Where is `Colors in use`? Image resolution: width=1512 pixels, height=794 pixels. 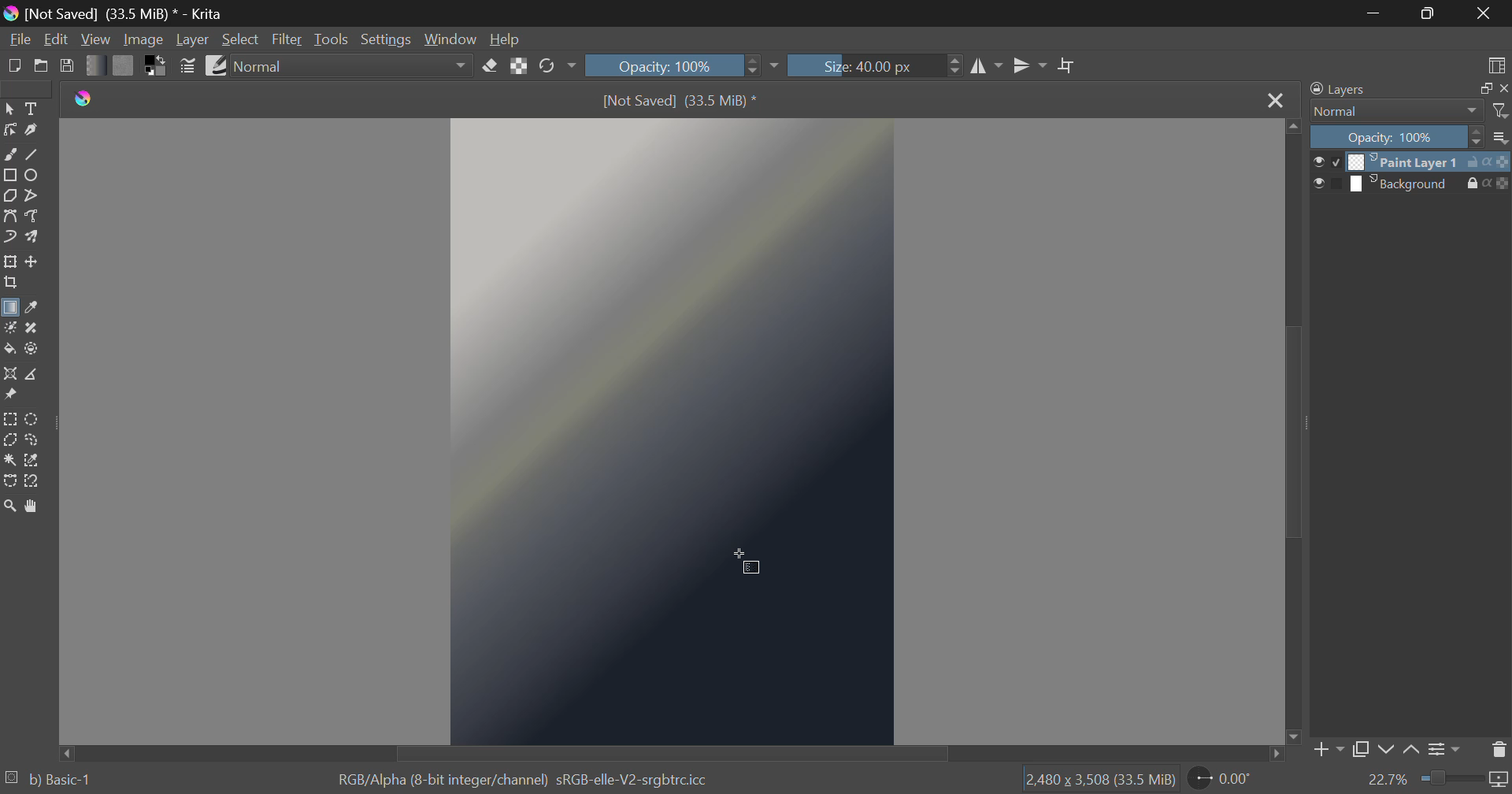 Colors in use is located at coordinates (156, 65).